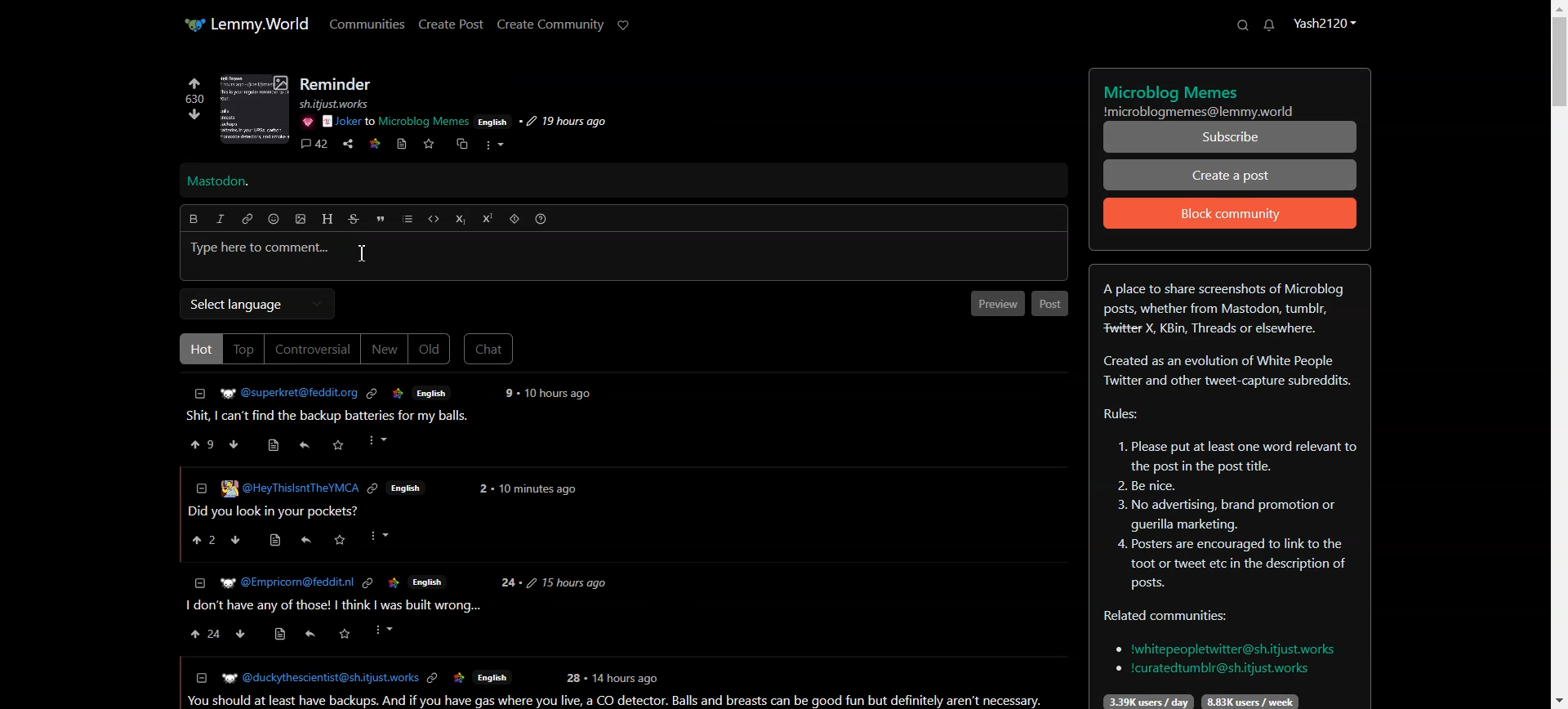 The image size is (1568, 709). I want to click on 10 hours ago, so click(559, 394).